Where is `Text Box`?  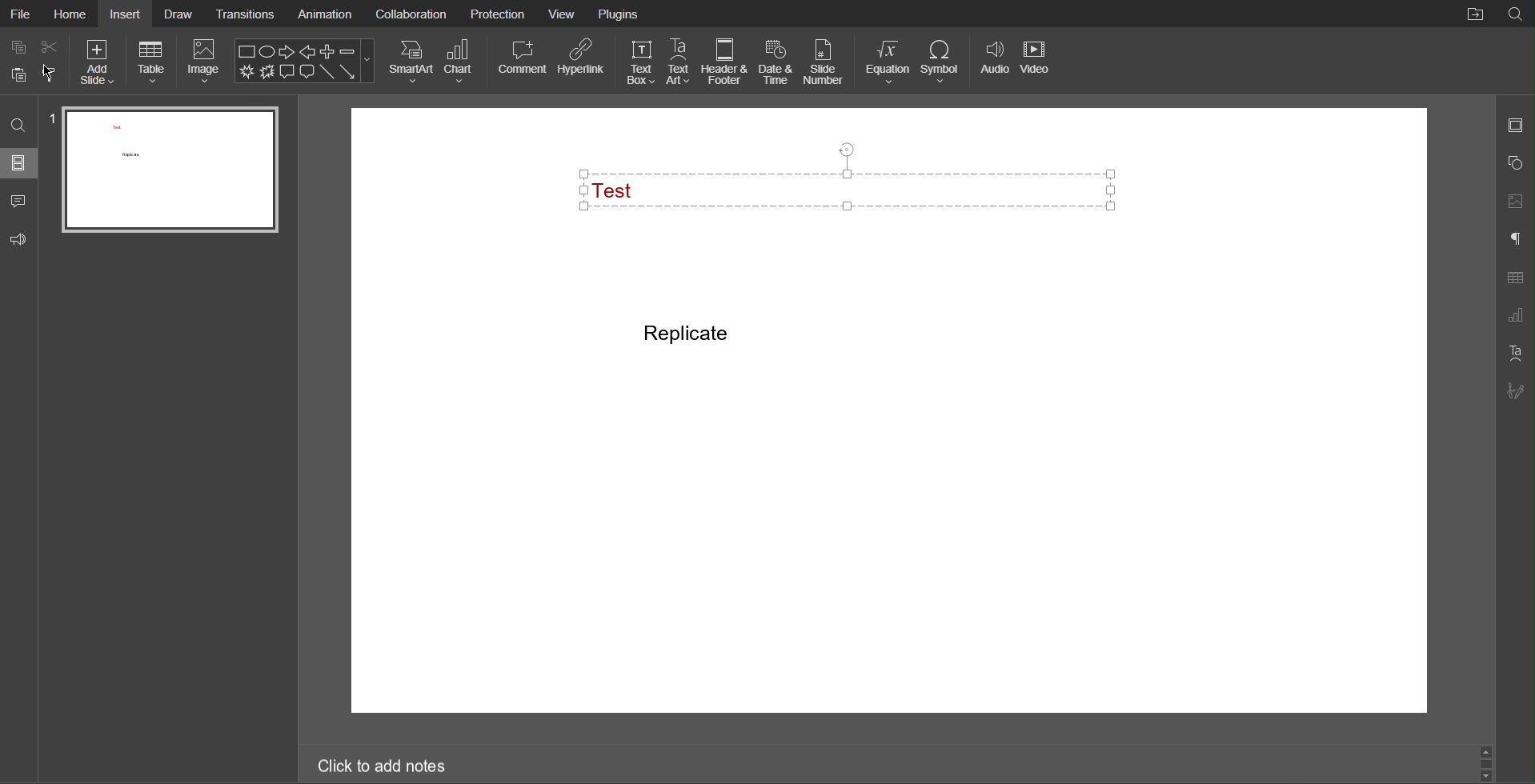 Text Box is located at coordinates (639, 62).